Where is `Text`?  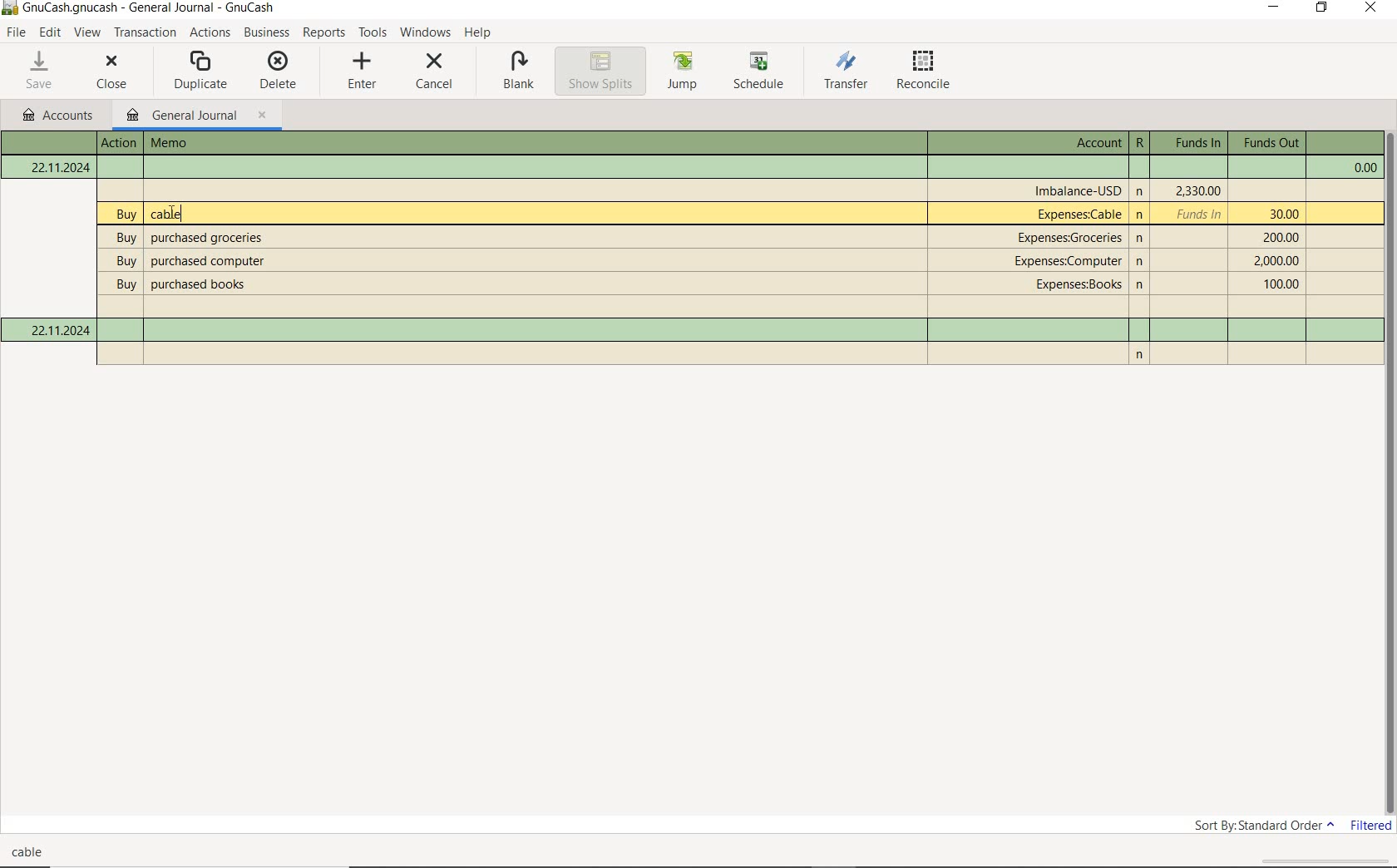
Text is located at coordinates (739, 307).